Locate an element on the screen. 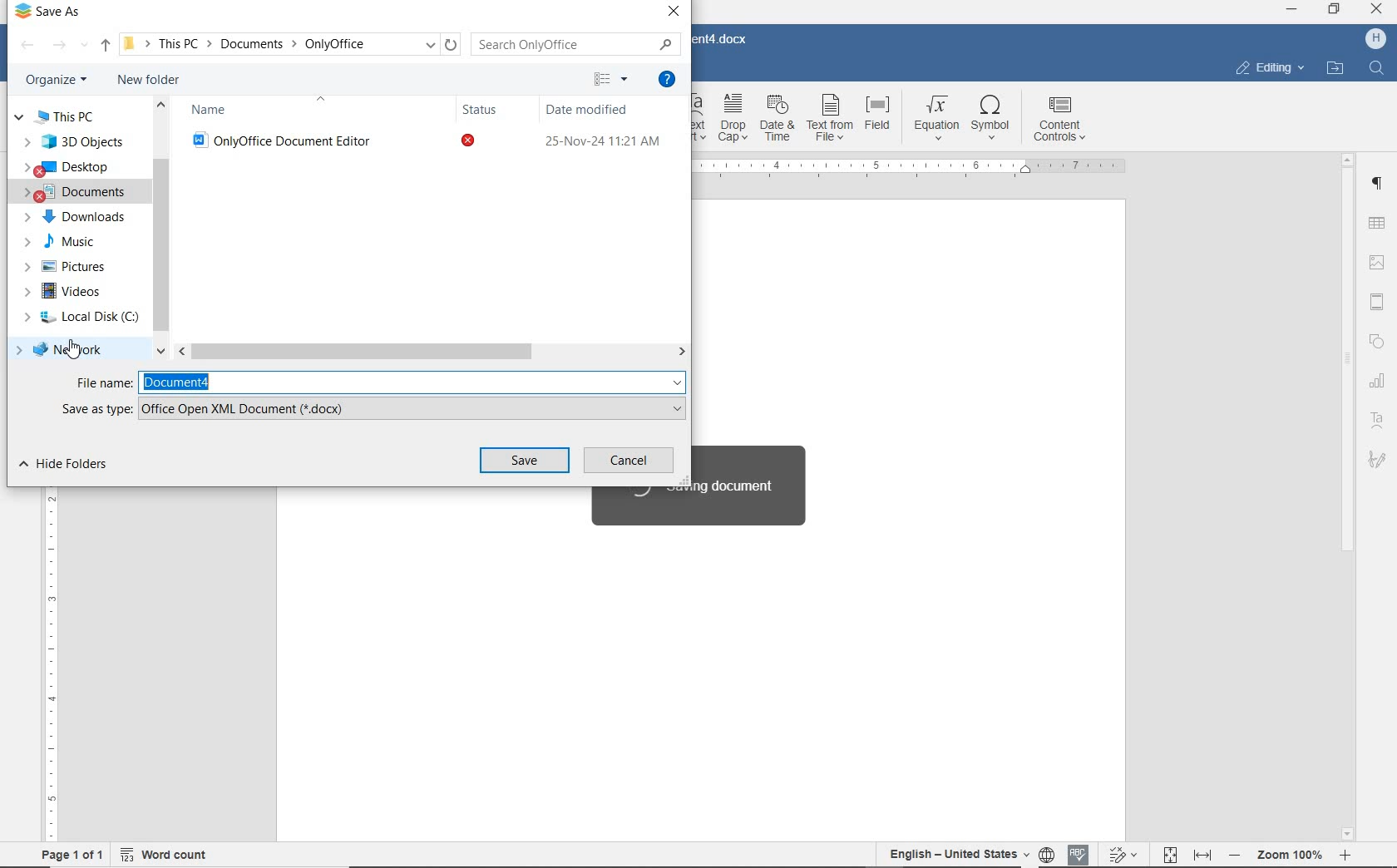 This screenshot has width=1397, height=868. Save As is located at coordinates (49, 11).